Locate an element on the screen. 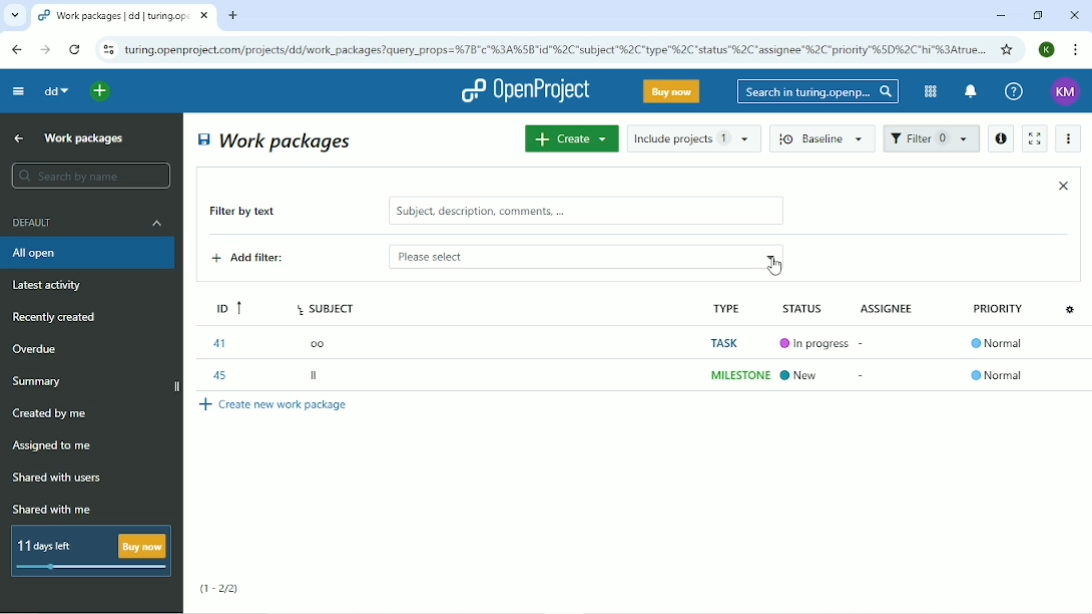 This screenshot has height=614, width=1092. Configure view is located at coordinates (1072, 308).